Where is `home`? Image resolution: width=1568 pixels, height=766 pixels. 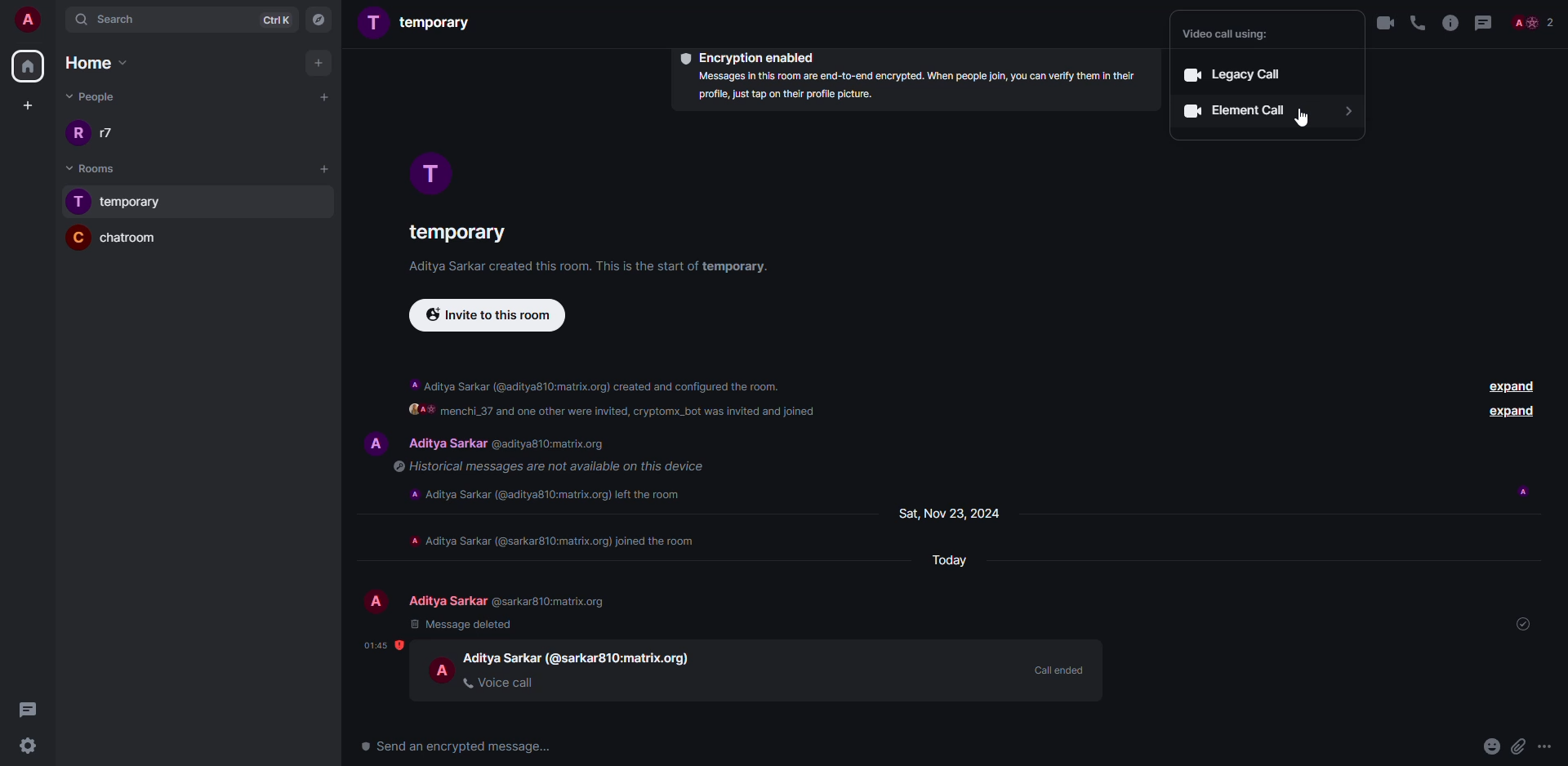 home is located at coordinates (27, 67).